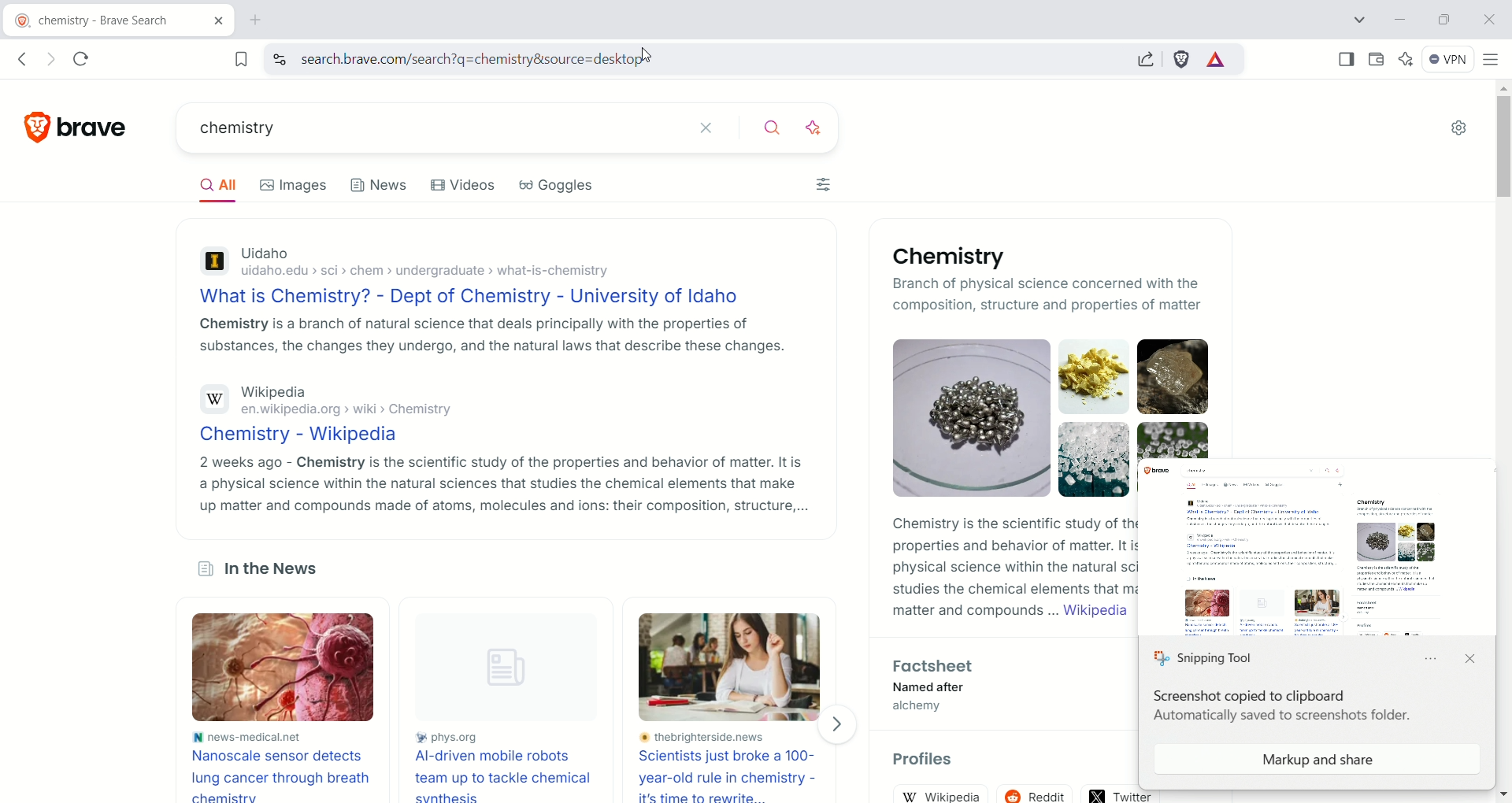  Describe the element at coordinates (651, 57) in the screenshot. I see `cursor` at that location.